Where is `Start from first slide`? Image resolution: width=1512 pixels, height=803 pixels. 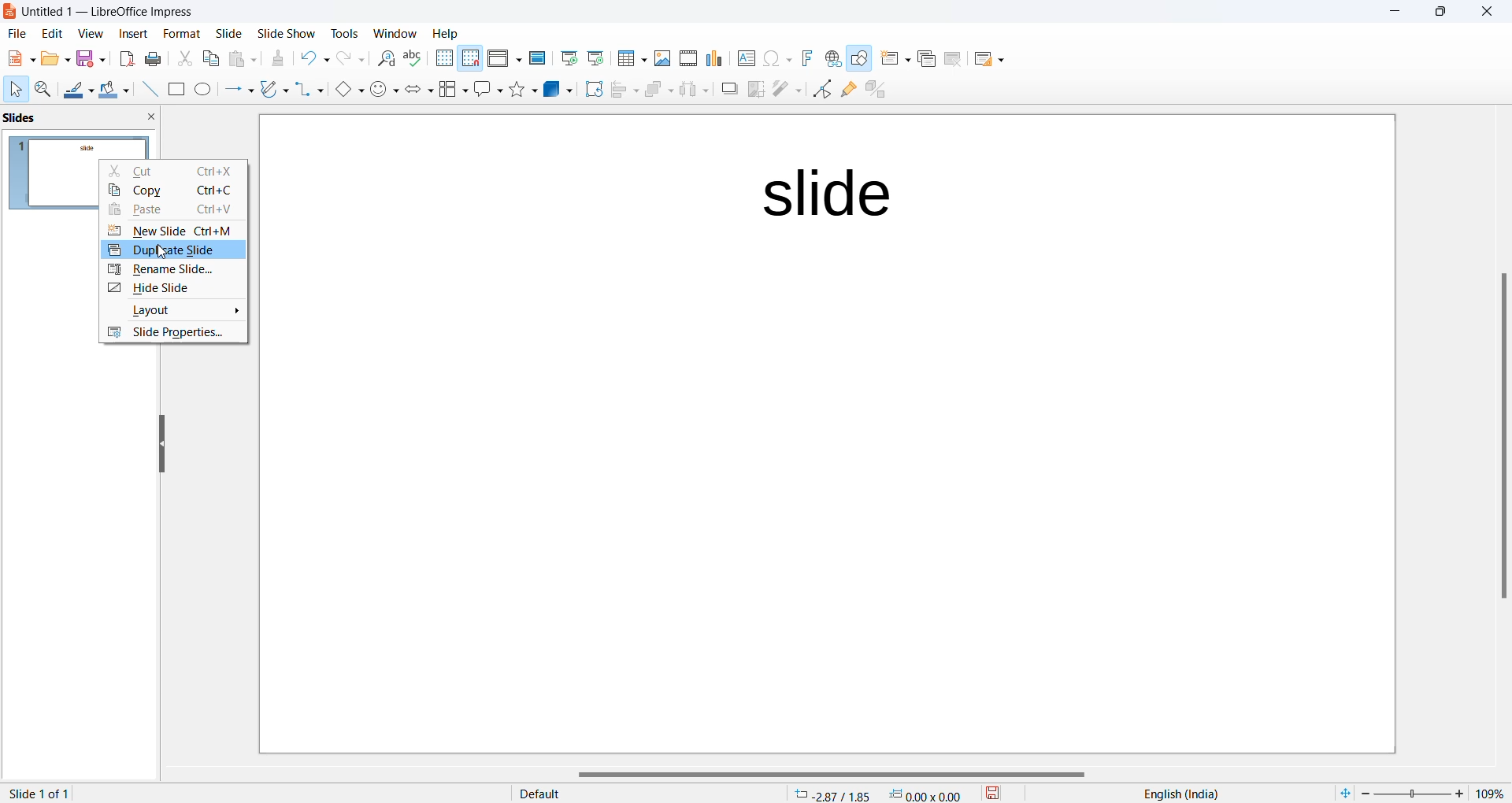 Start from first slide is located at coordinates (569, 59).